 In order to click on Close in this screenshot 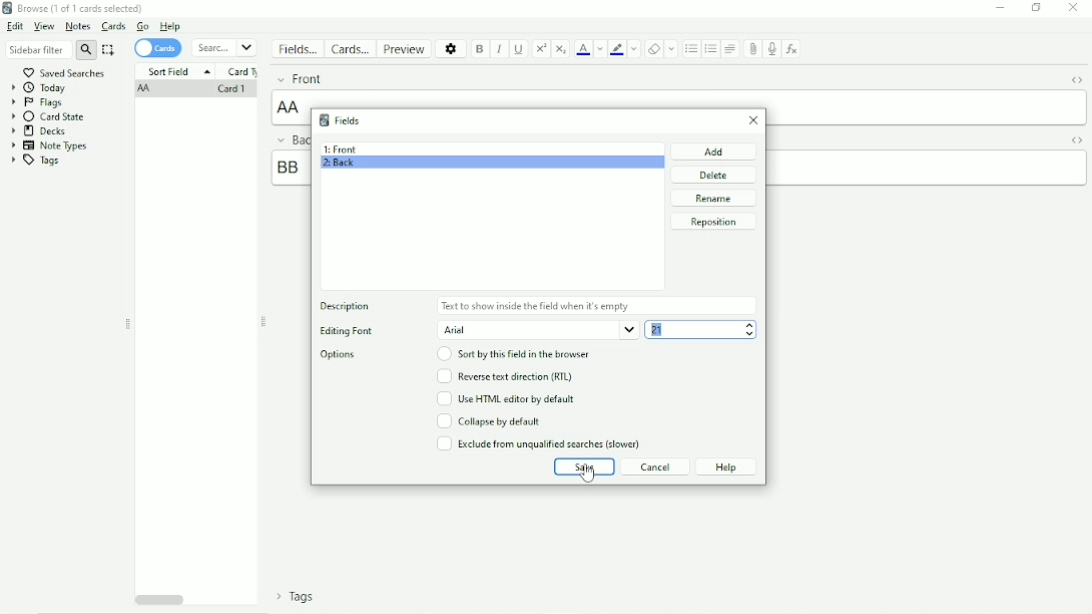, I will do `click(754, 120)`.